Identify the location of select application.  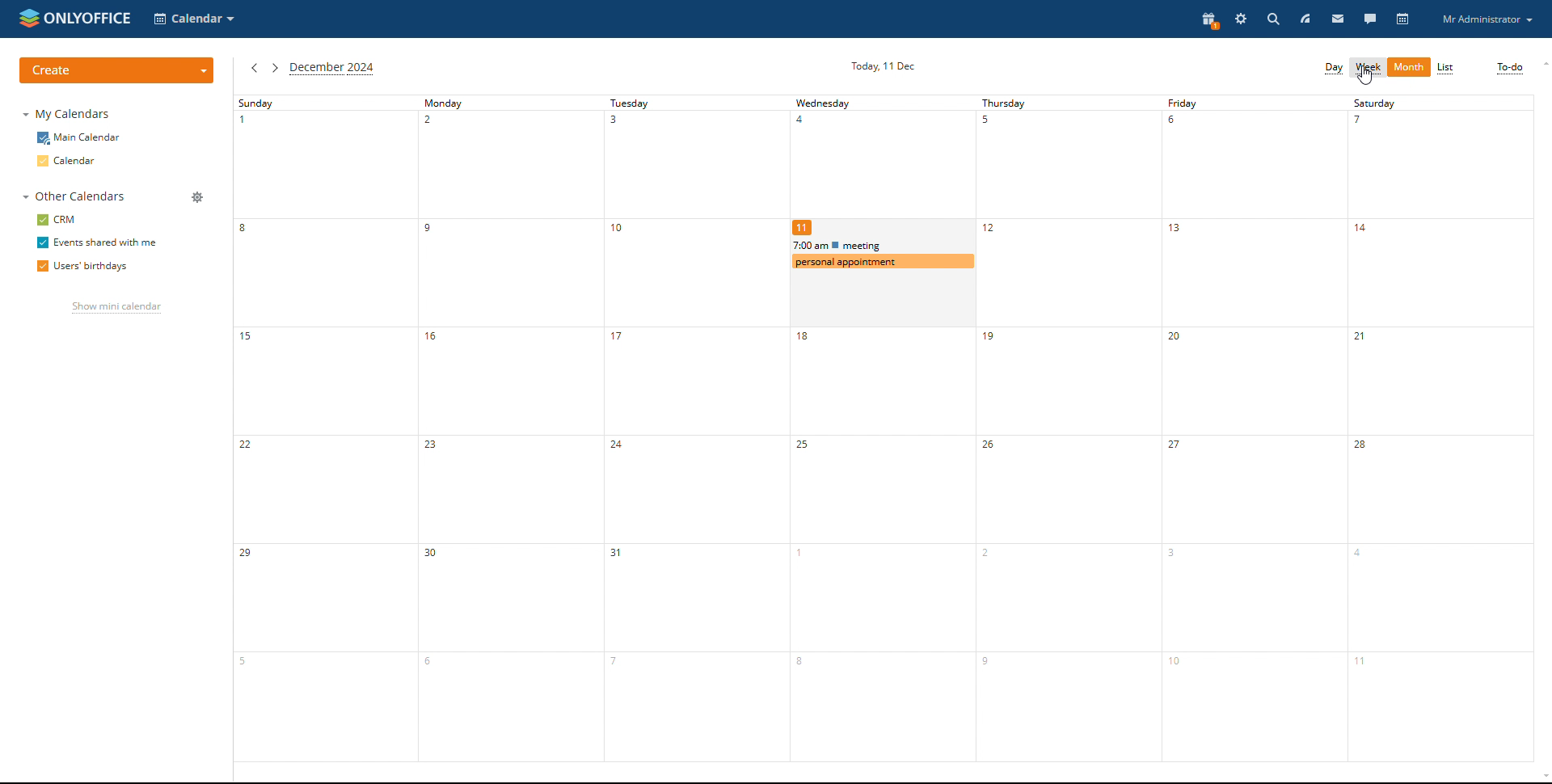
(196, 19).